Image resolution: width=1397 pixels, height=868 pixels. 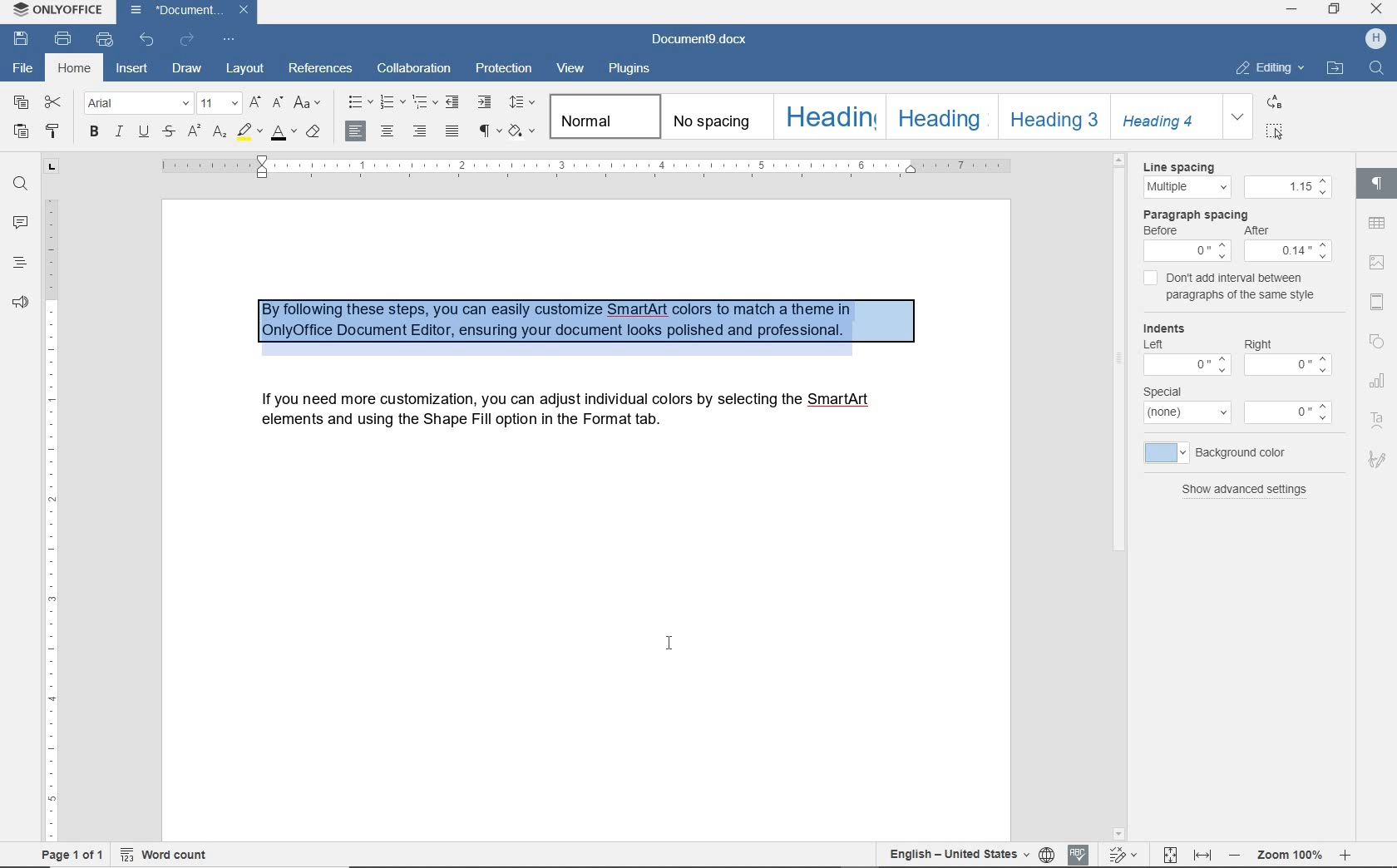 What do you see at coordinates (22, 65) in the screenshot?
I see `file` at bounding box center [22, 65].